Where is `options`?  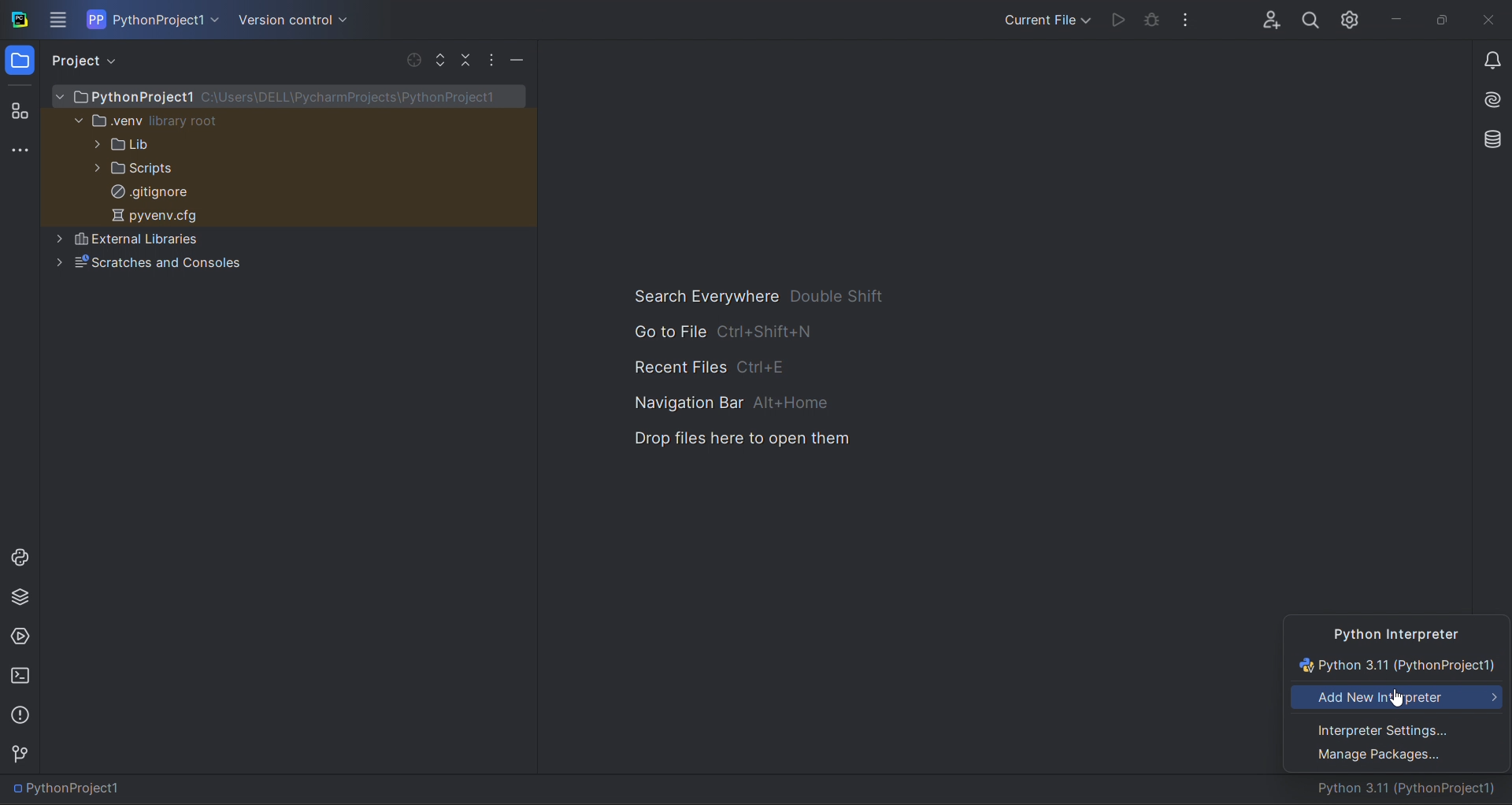 options is located at coordinates (493, 58).